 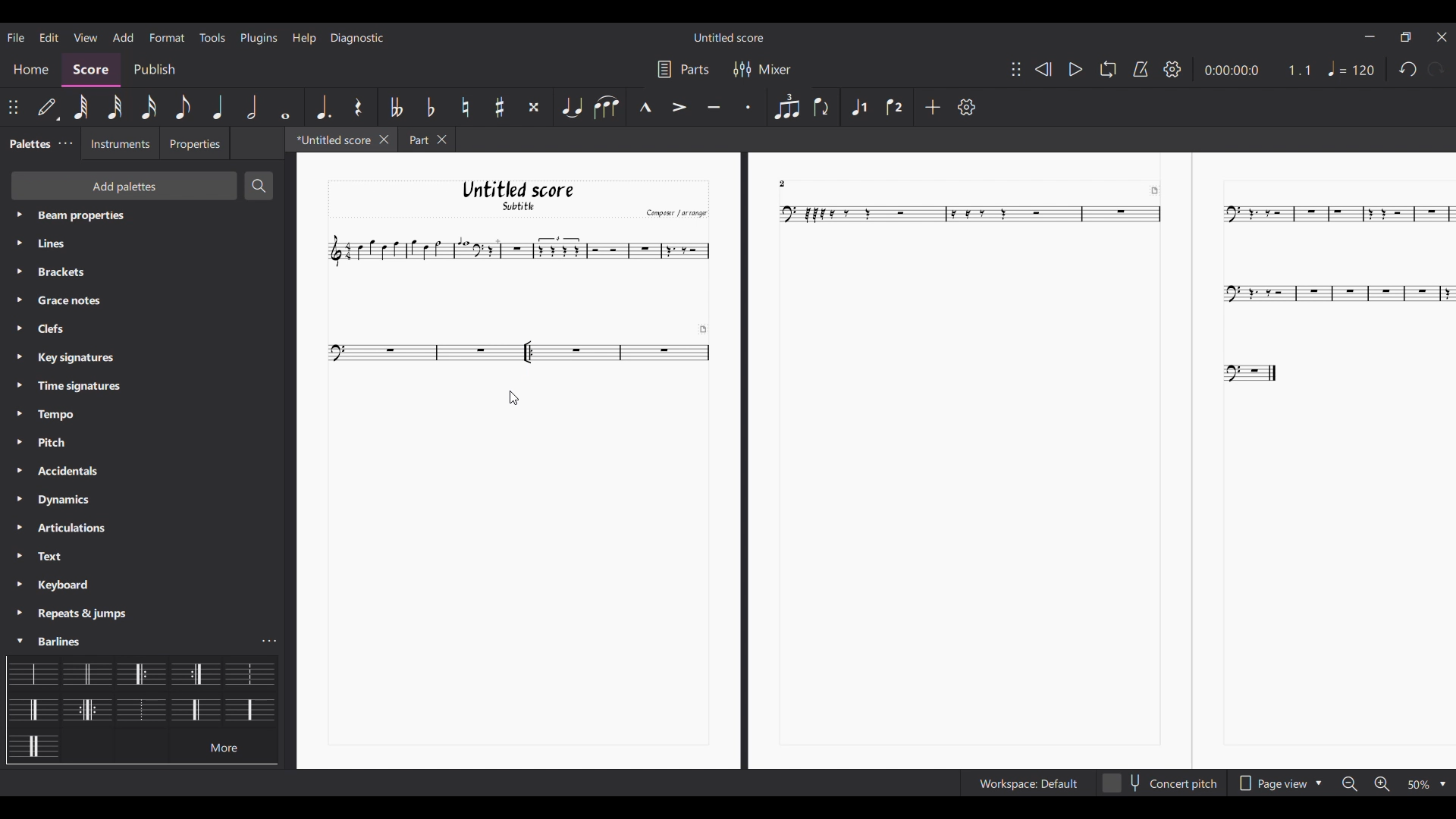 I want to click on Barline options, so click(x=87, y=673).